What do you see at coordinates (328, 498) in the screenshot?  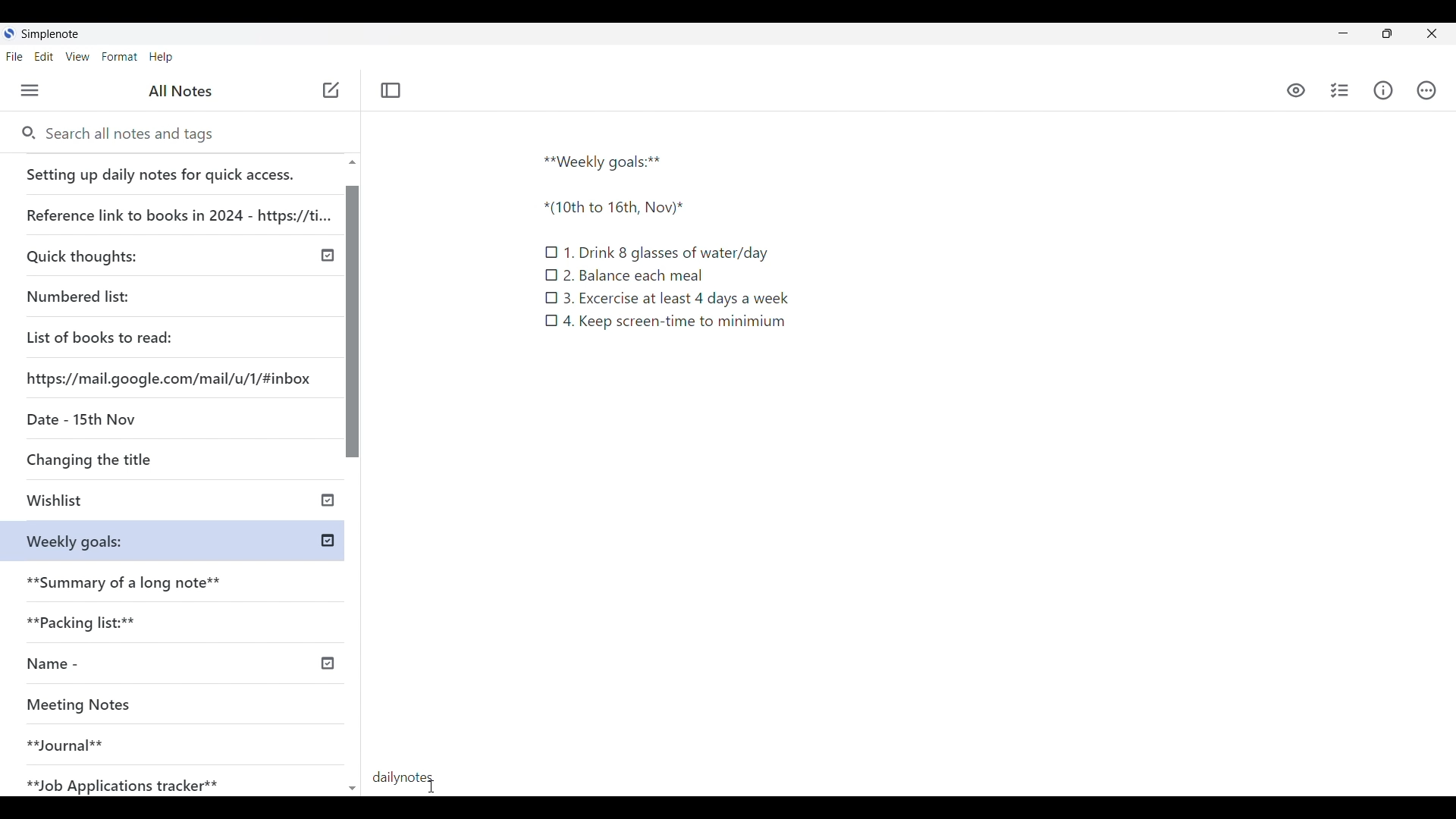 I see `published` at bounding box center [328, 498].